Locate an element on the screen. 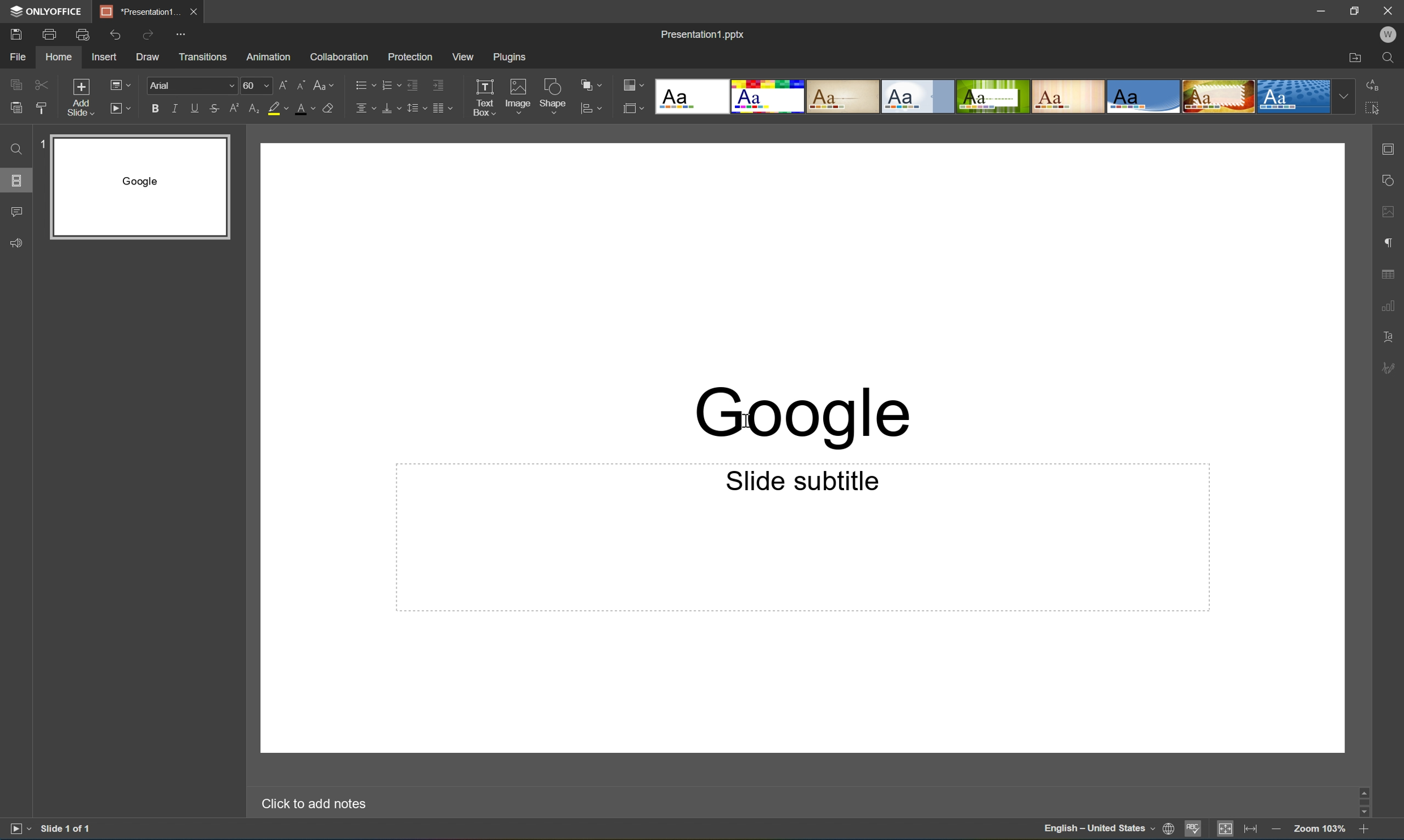 The width and height of the screenshot is (1404, 840). Underline is located at coordinates (198, 109).